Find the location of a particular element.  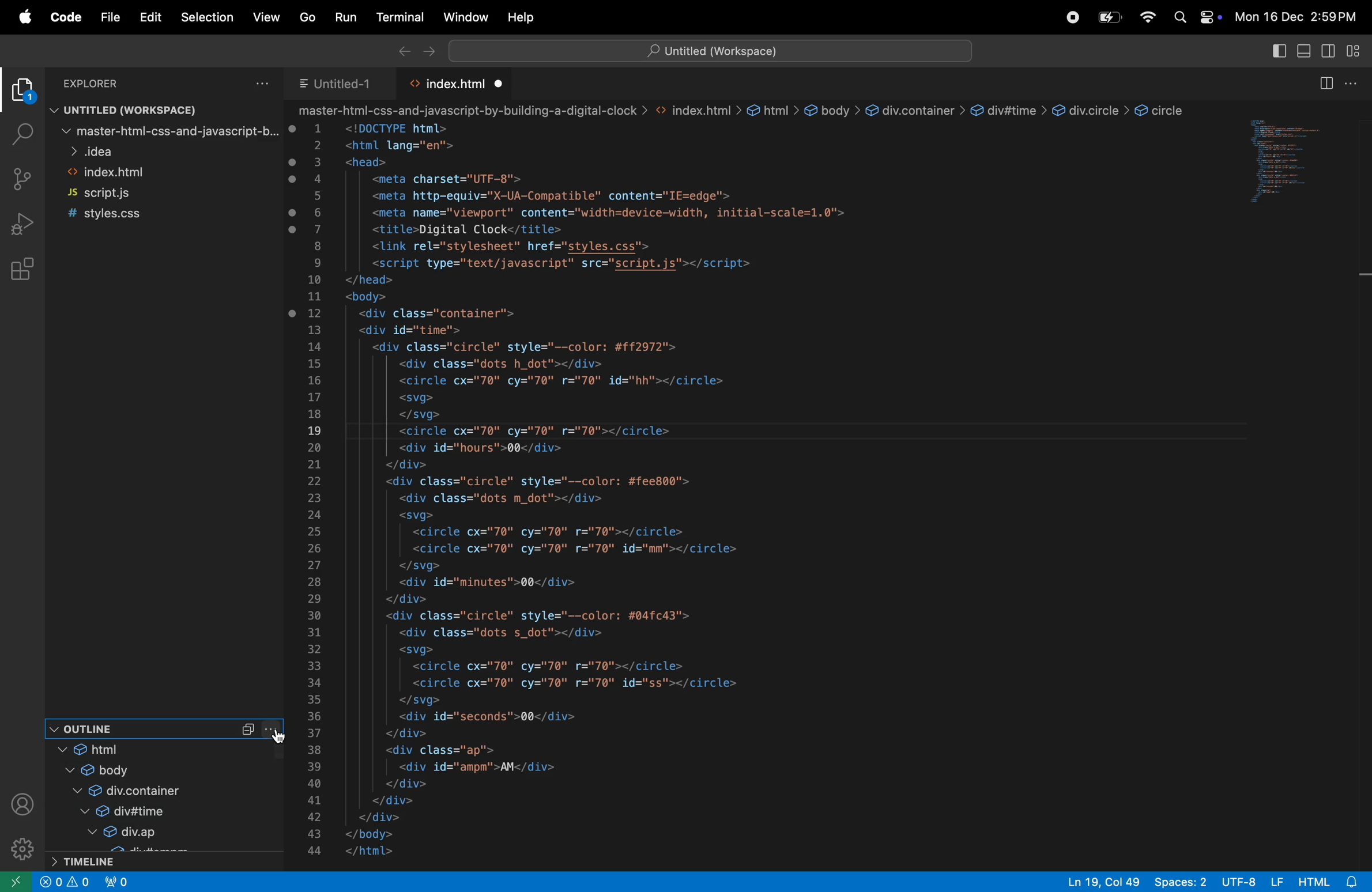

alert is located at coordinates (80, 883).